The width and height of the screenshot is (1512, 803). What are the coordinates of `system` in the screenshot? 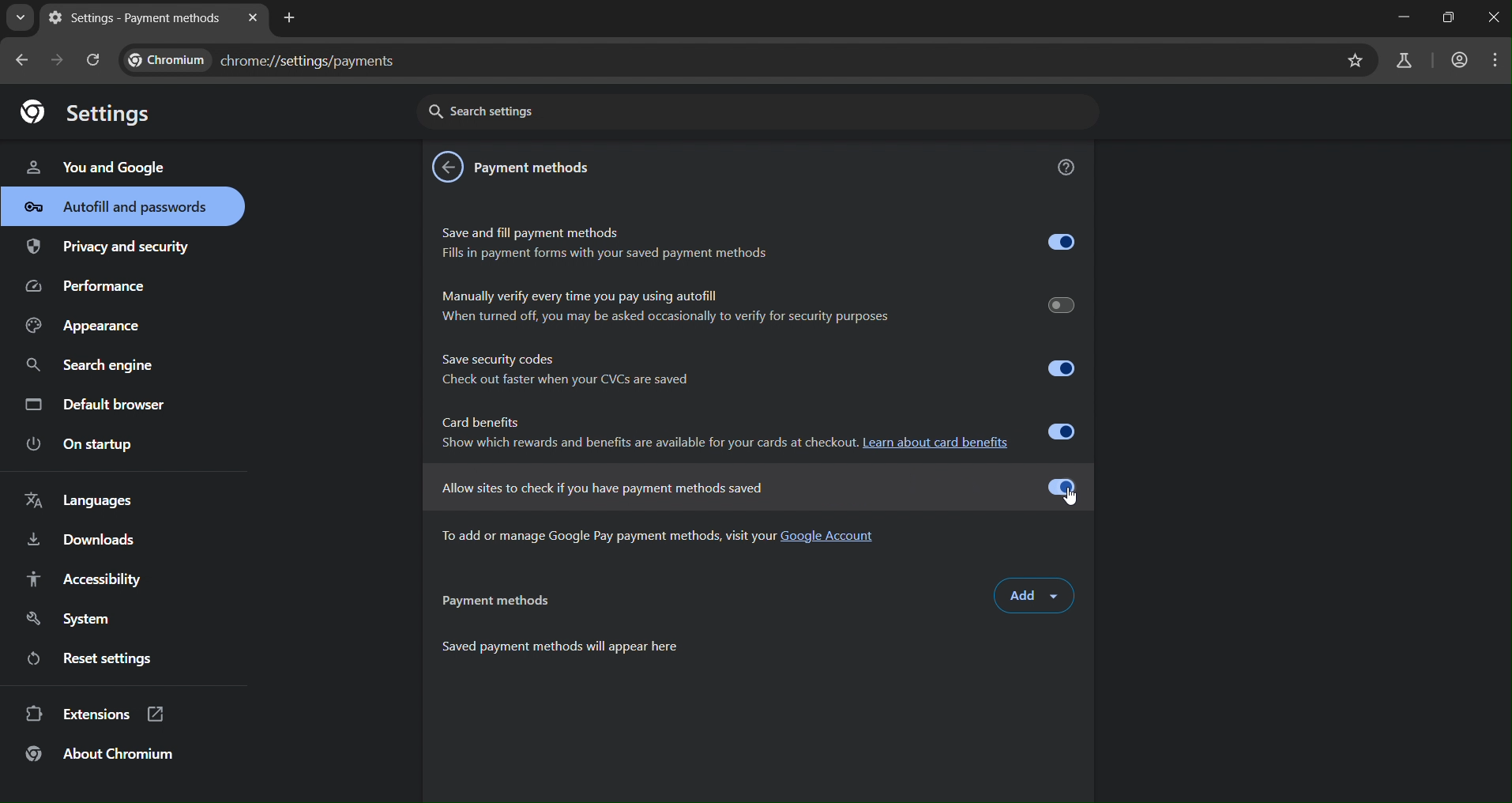 It's located at (75, 616).